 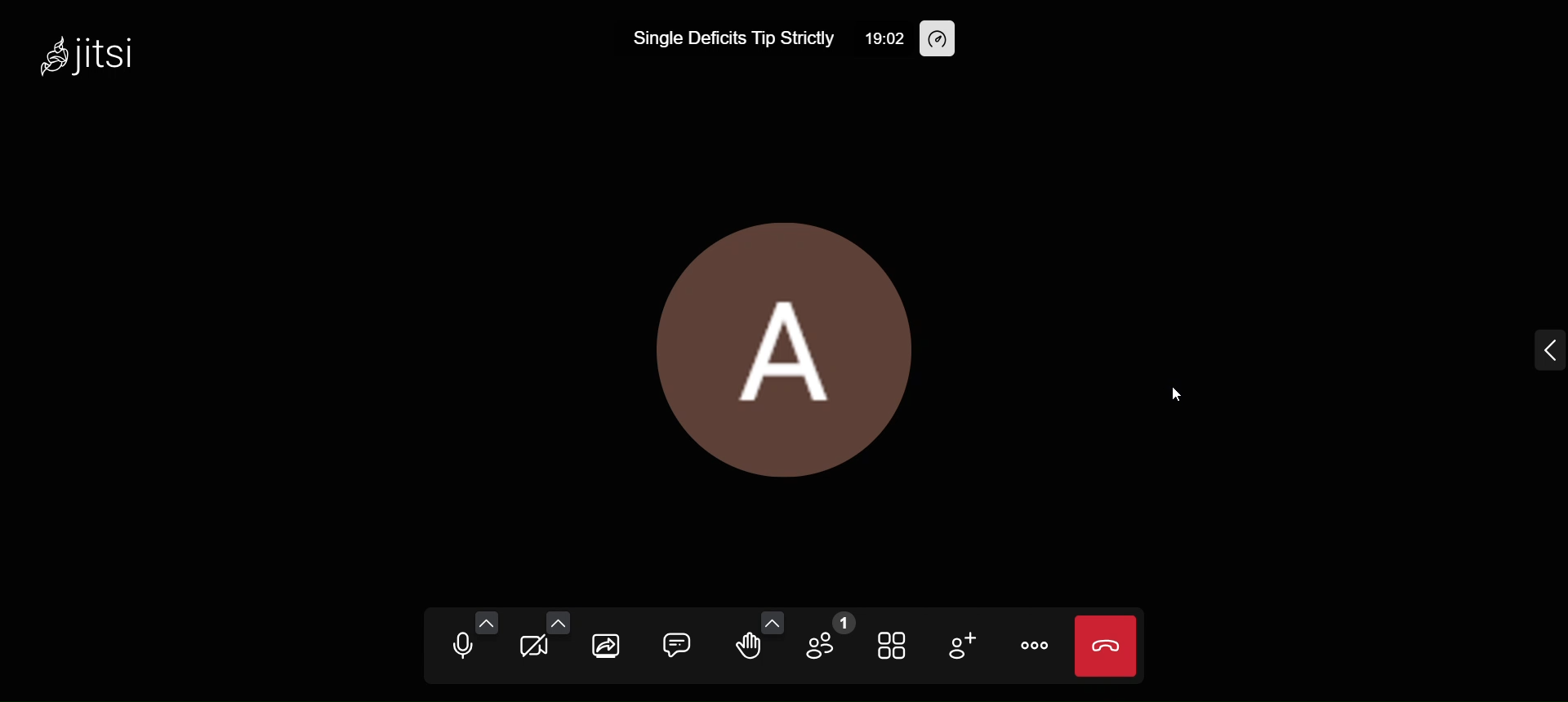 What do you see at coordinates (1108, 646) in the screenshot?
I see `end call` at bounding box center [1108, 646].